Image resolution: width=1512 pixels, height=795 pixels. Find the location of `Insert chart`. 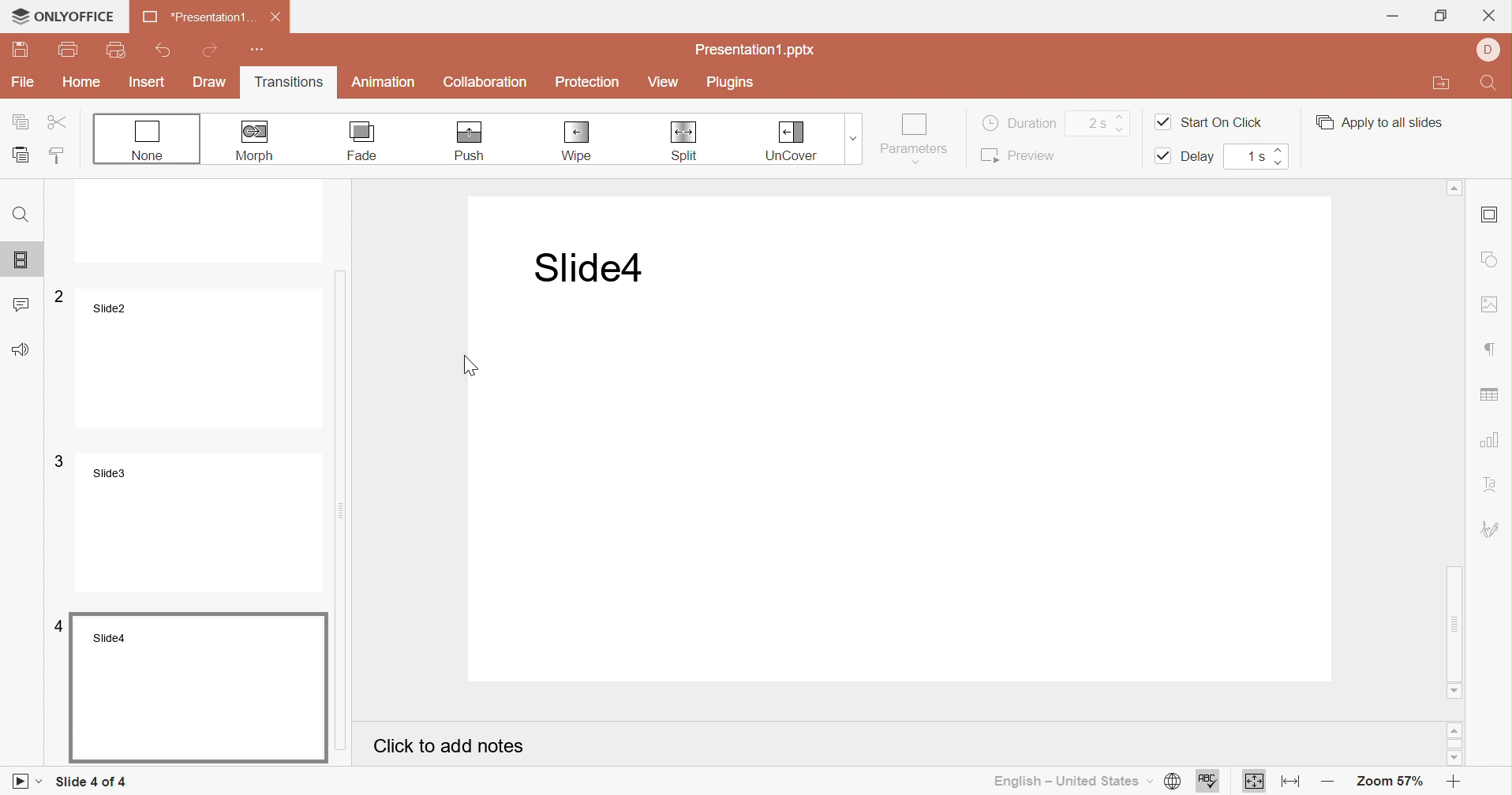

Insert chart is located at coordinates (1491, 440).